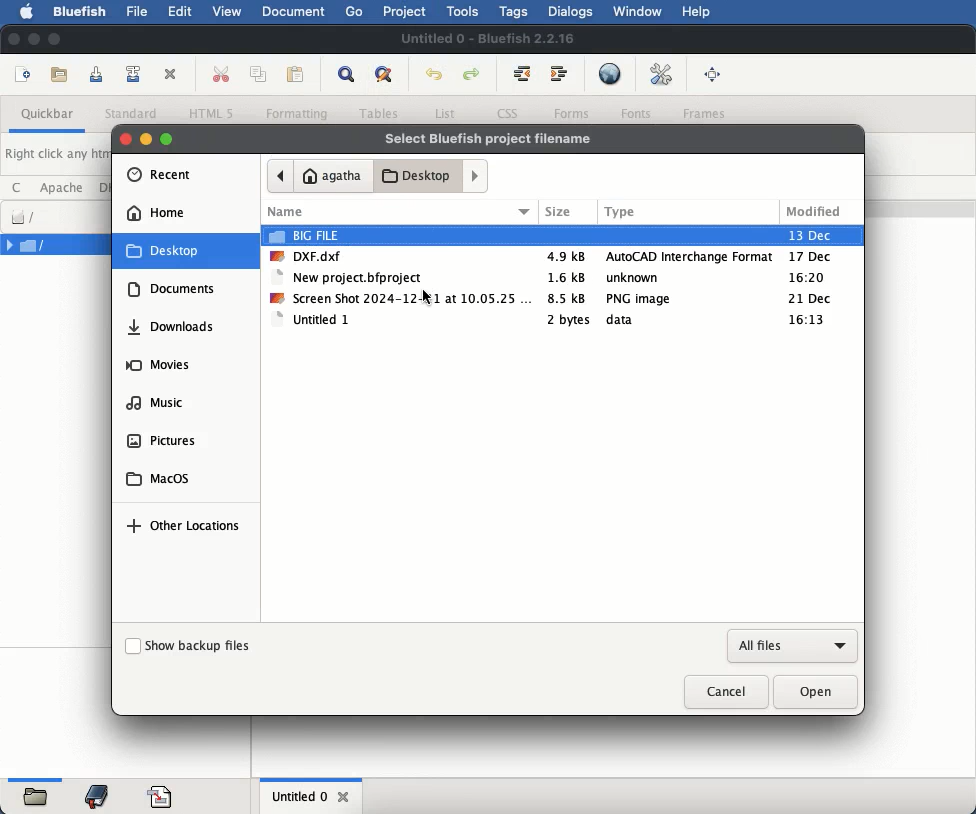 This screenshot has width=976, height=814. What do you see at coordinates (160, 794) in the screenshot?
I see `code` at bounding box center [160, 794].